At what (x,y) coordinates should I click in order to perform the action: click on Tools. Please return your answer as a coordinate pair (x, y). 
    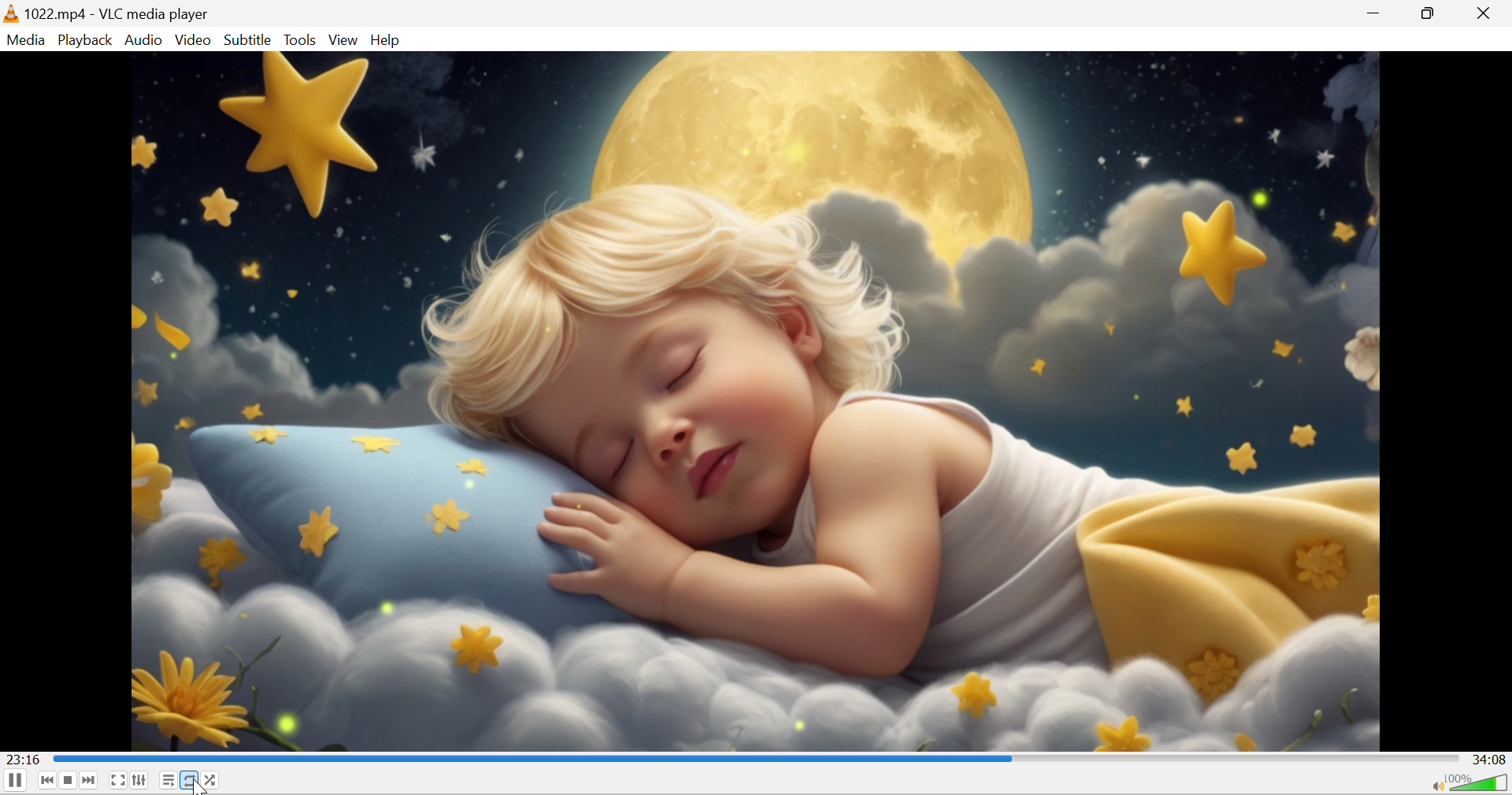
    Looking at the image, I should click on (302, 39).